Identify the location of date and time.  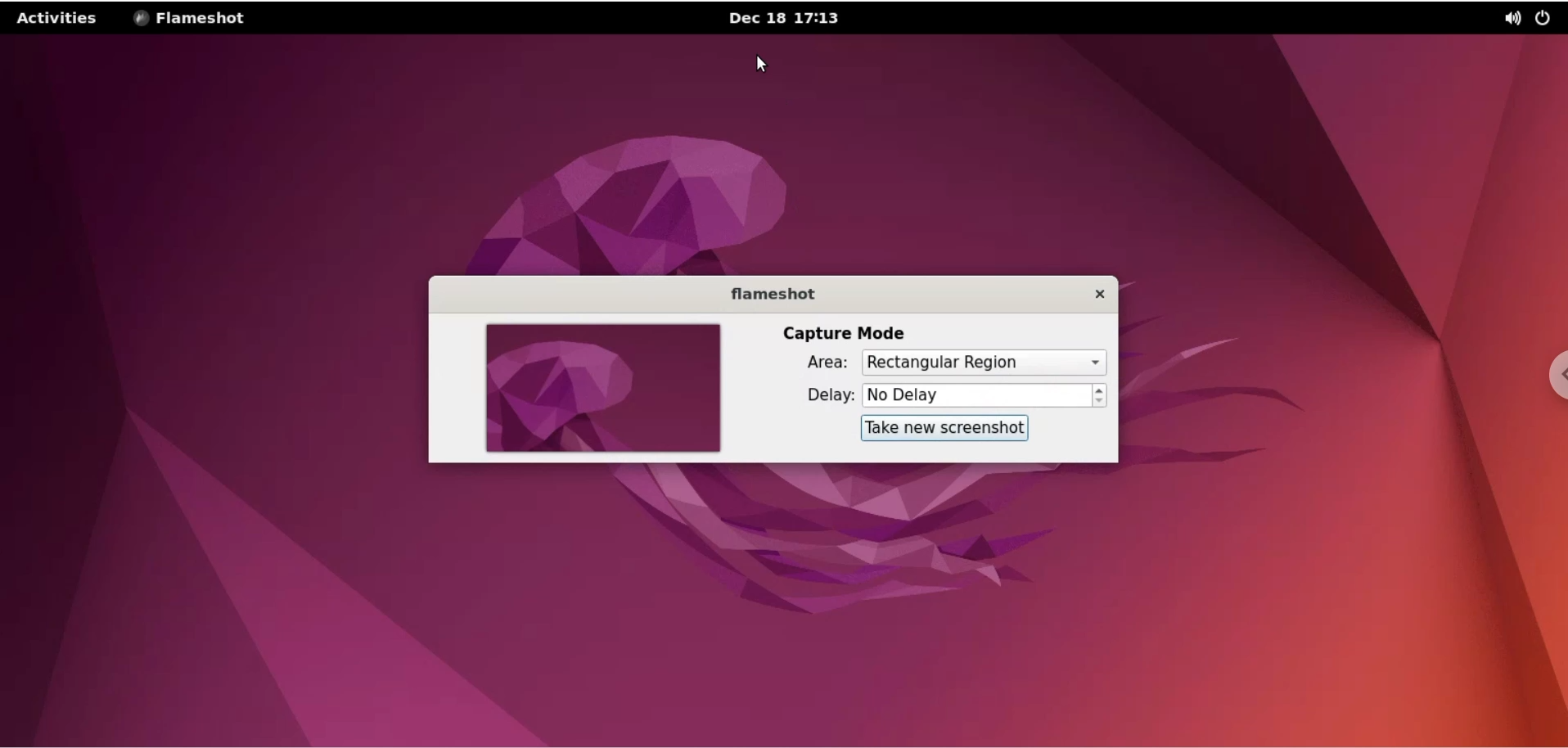
(797, 20).